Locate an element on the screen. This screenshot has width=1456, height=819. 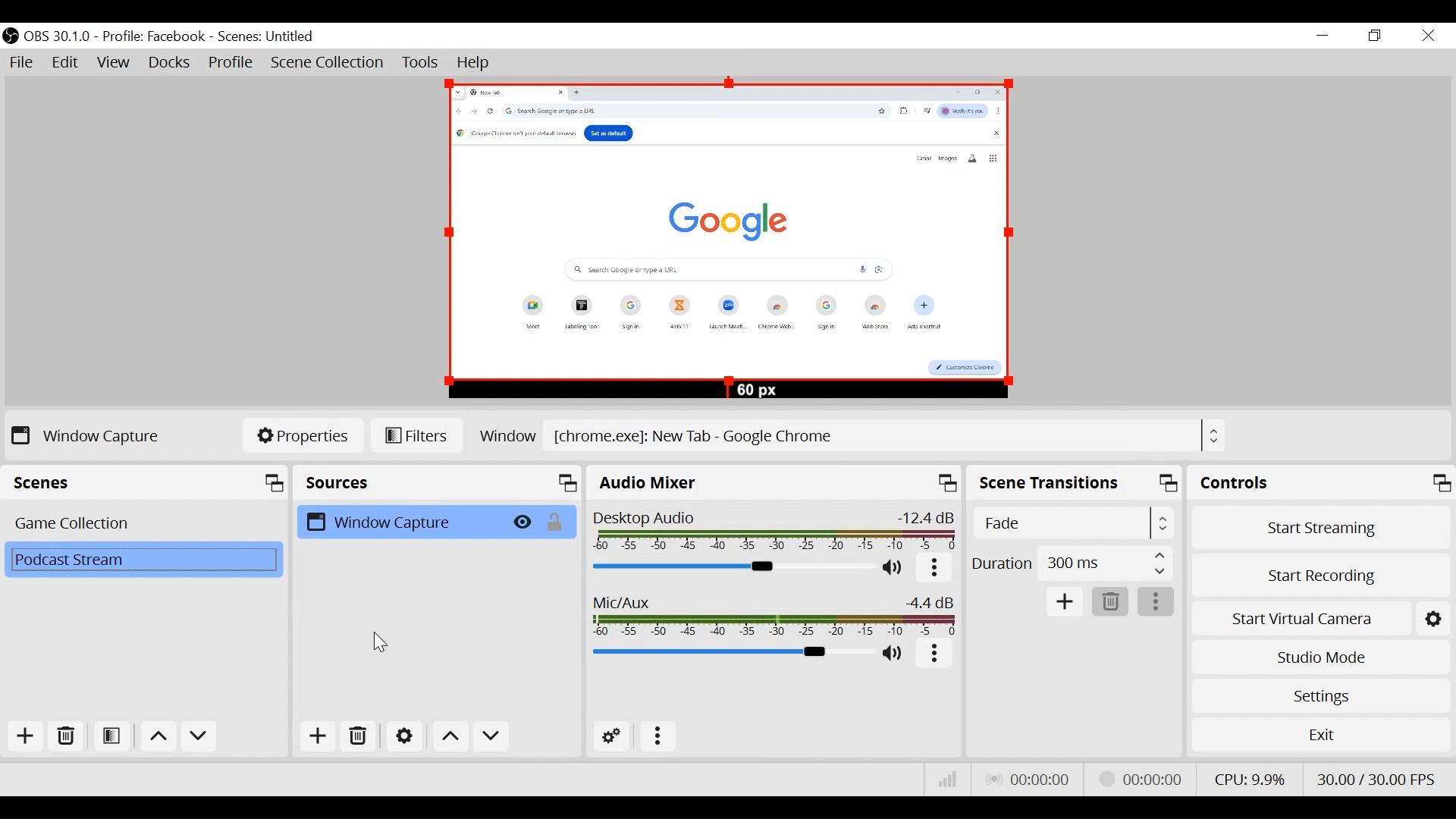
OBS 30.1.0 - Profile Facebook - Scenes Untitled is located at coordinates (173, 36).